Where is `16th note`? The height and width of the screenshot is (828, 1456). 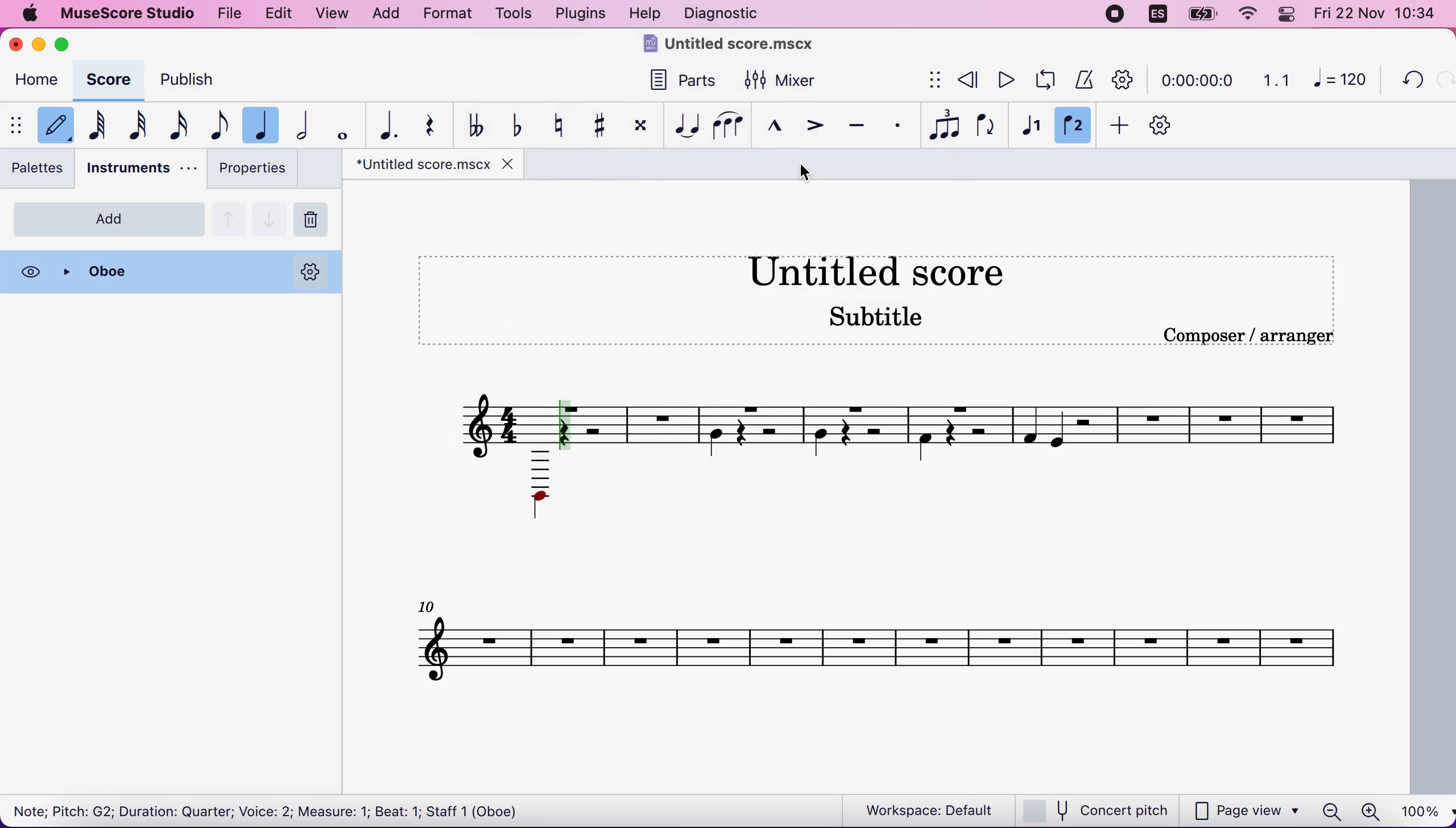
16th note is located at coordinates (183, 125).